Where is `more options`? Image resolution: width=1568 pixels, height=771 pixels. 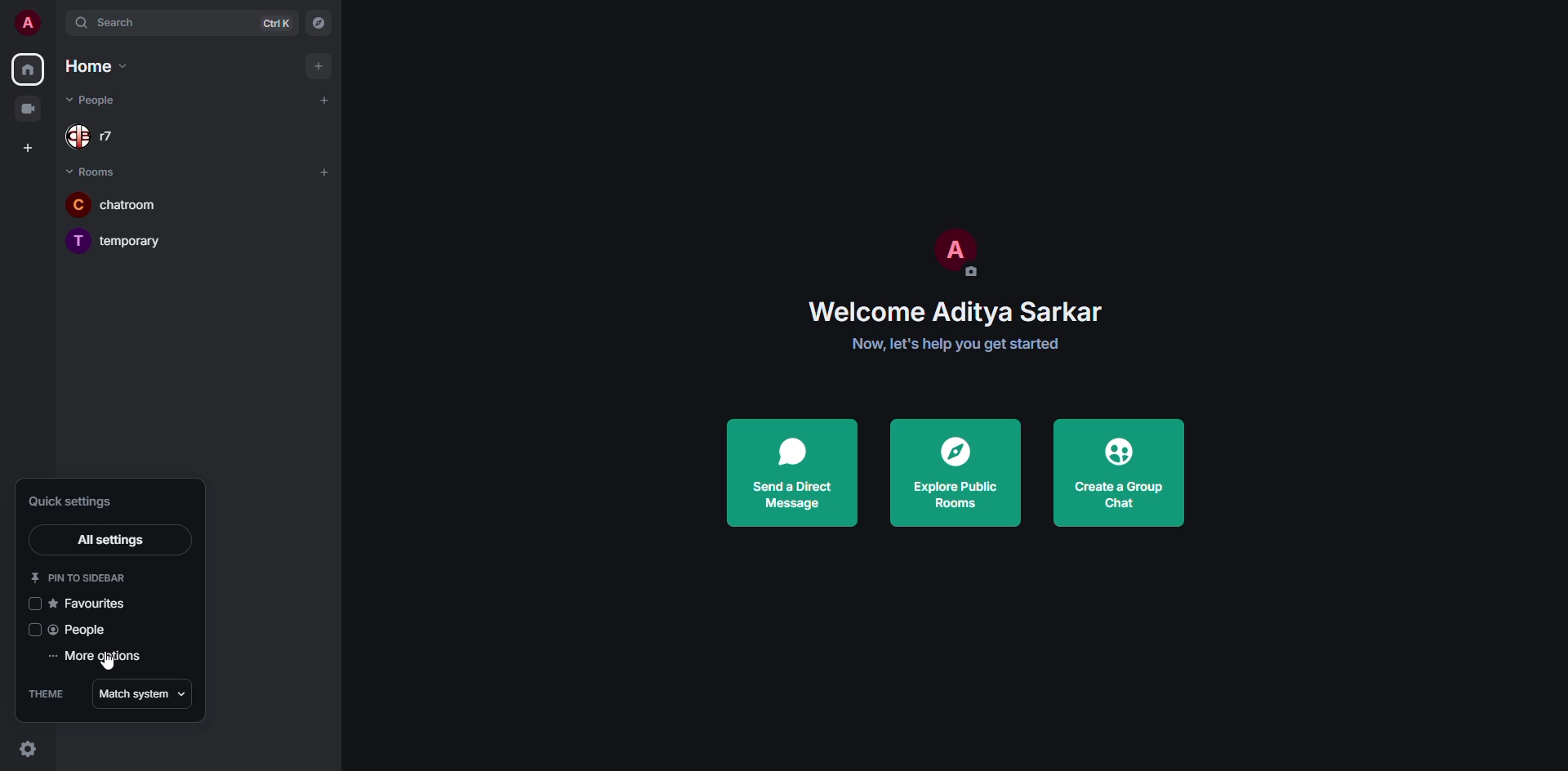
more options is located at coordinates (100, 658).